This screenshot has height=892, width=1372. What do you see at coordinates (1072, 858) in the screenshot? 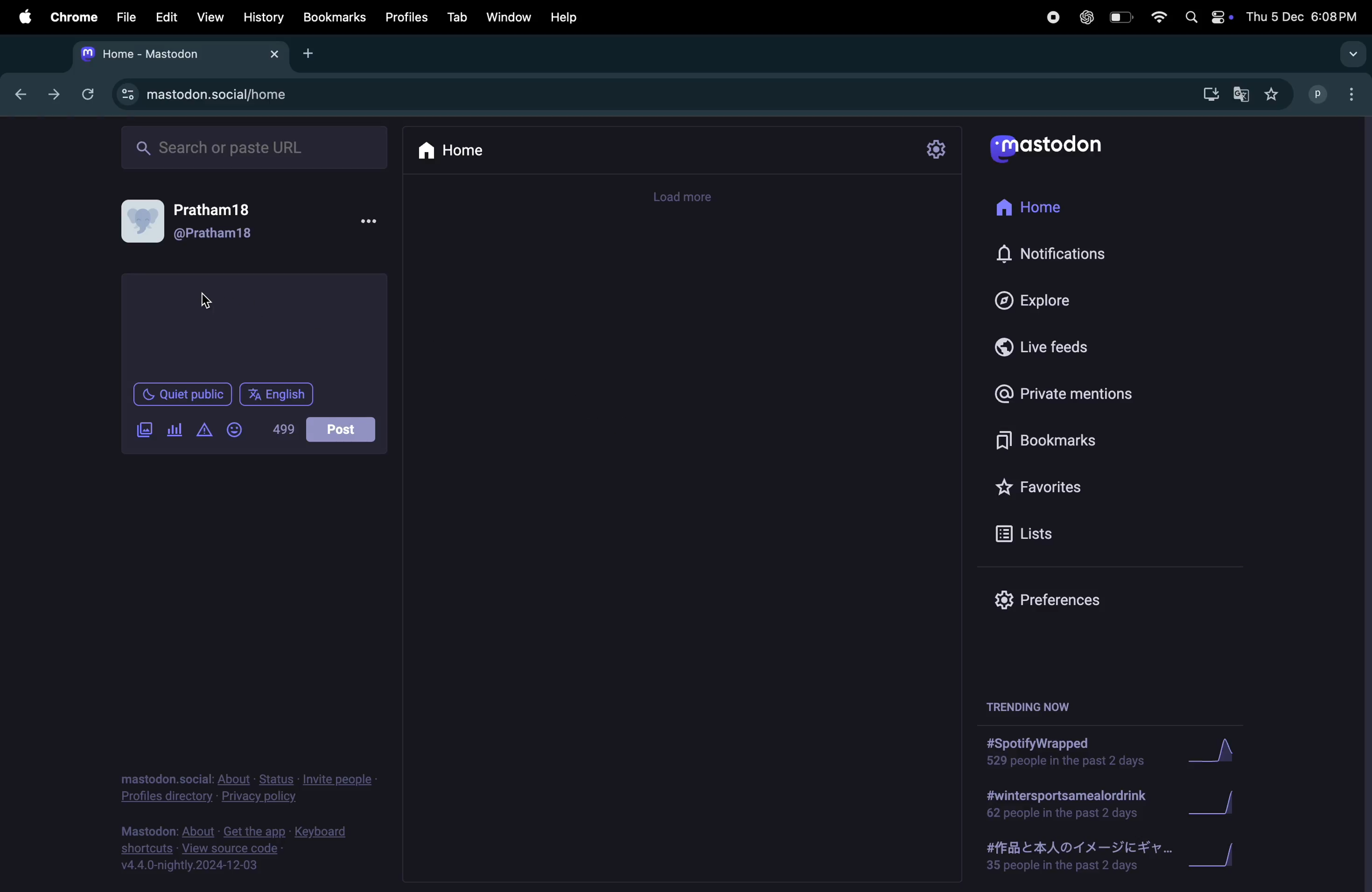
I see `#japanese` at bounding box center [1072, 858].